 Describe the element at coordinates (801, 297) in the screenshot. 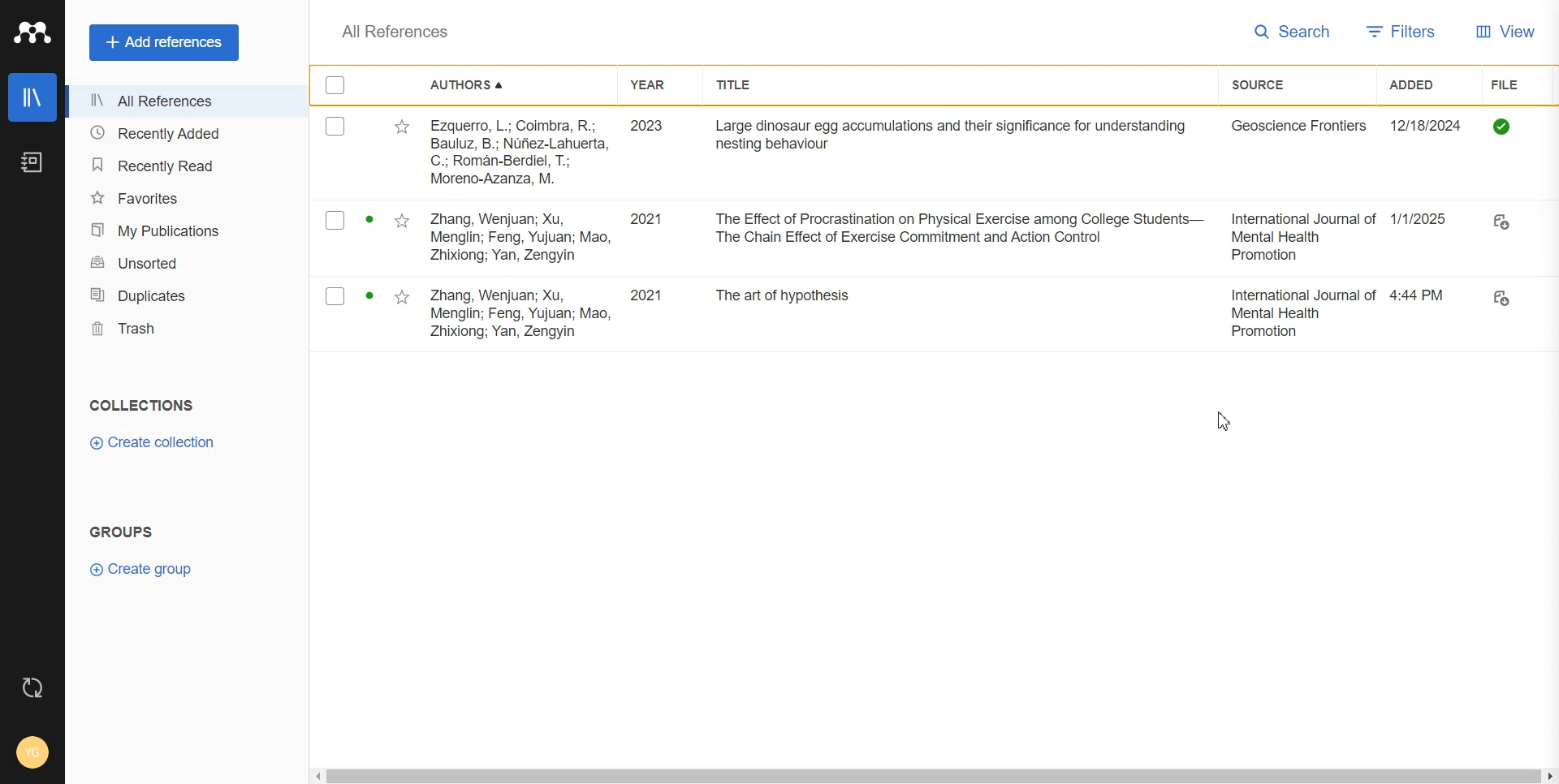

I see `The art of hypothesis` at that location.